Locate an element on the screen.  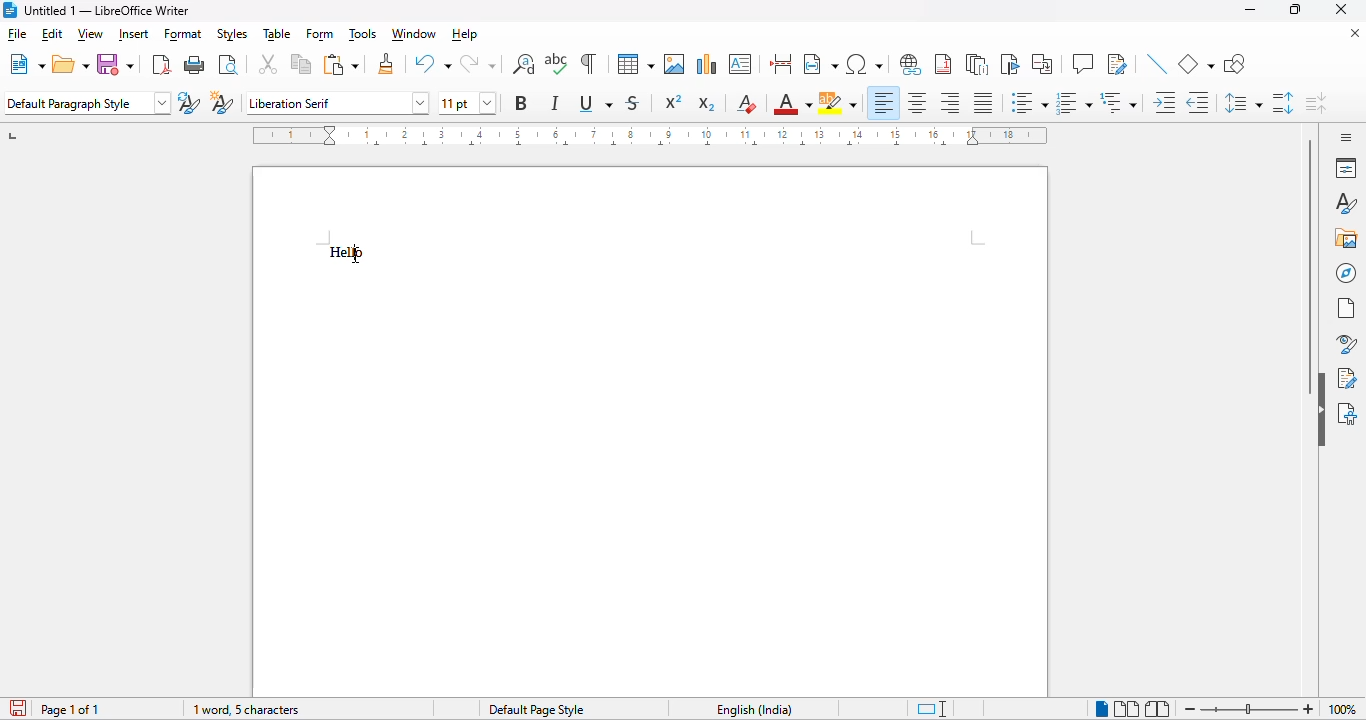
font color is located at coordinates (792, 103).